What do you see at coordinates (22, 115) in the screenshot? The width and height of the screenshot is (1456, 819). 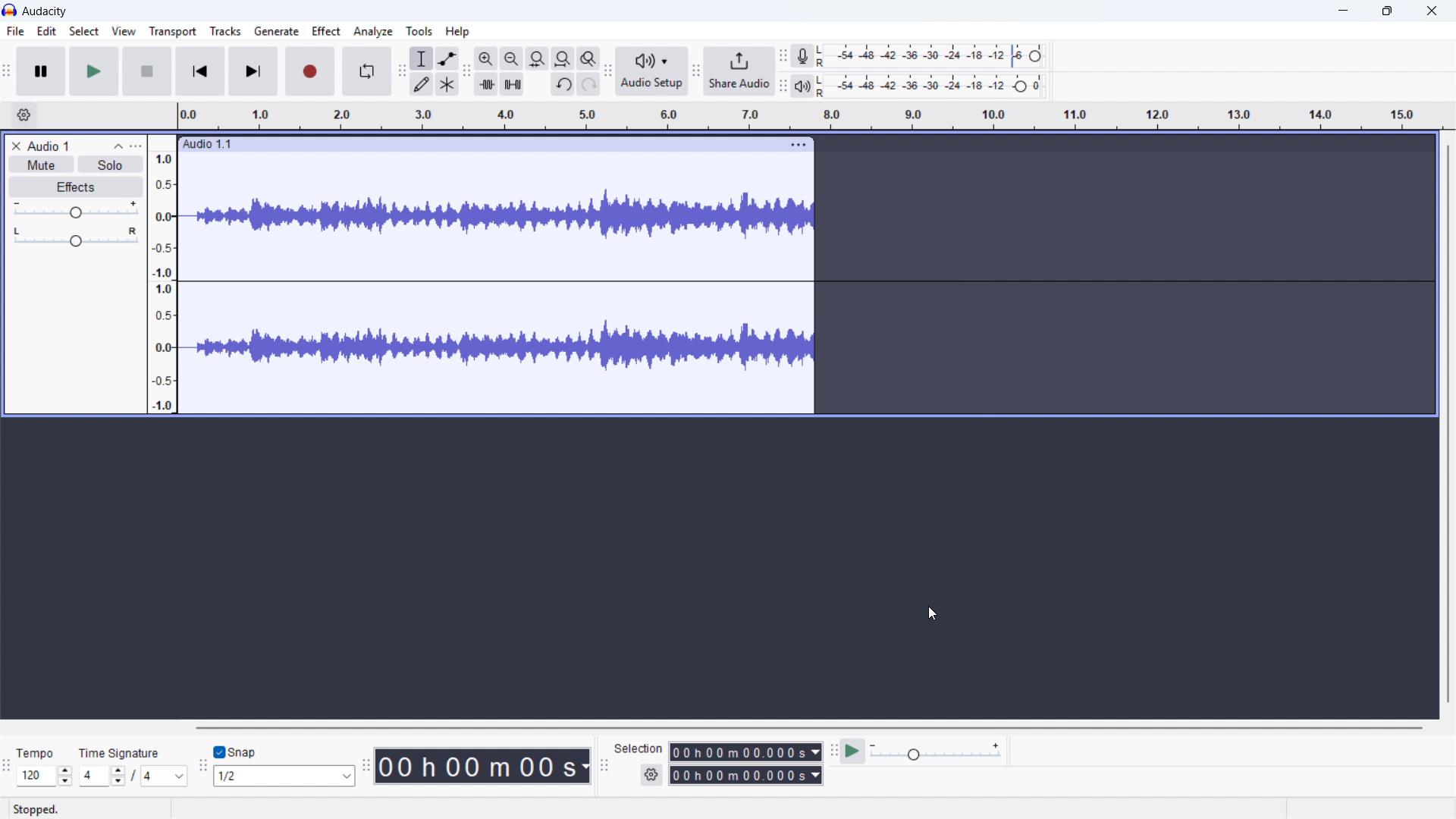 I see `Timeline settings ` at bounding box center [22, 115].